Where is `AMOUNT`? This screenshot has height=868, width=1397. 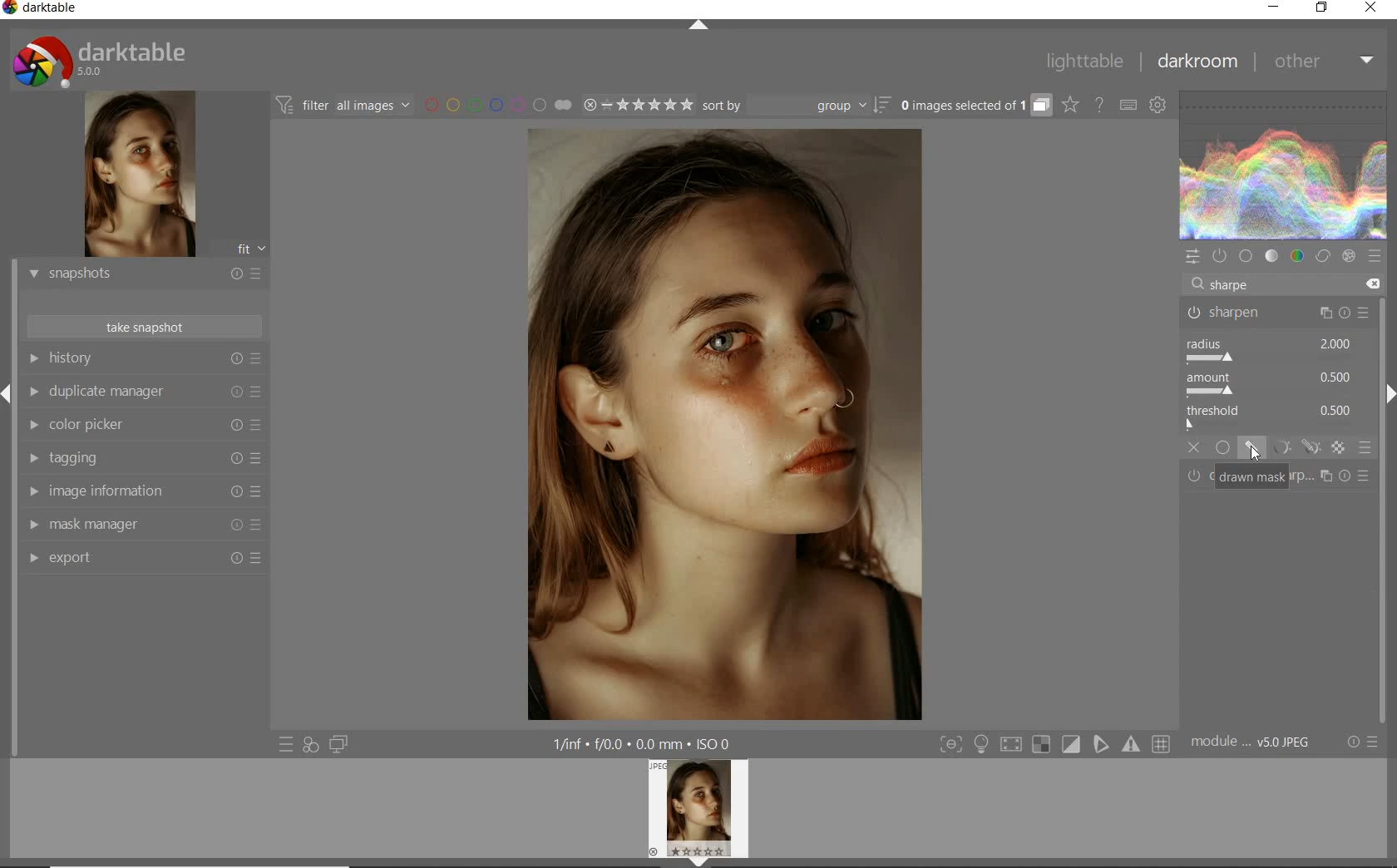 AMOUNT is located at coordinates (1270, 386).